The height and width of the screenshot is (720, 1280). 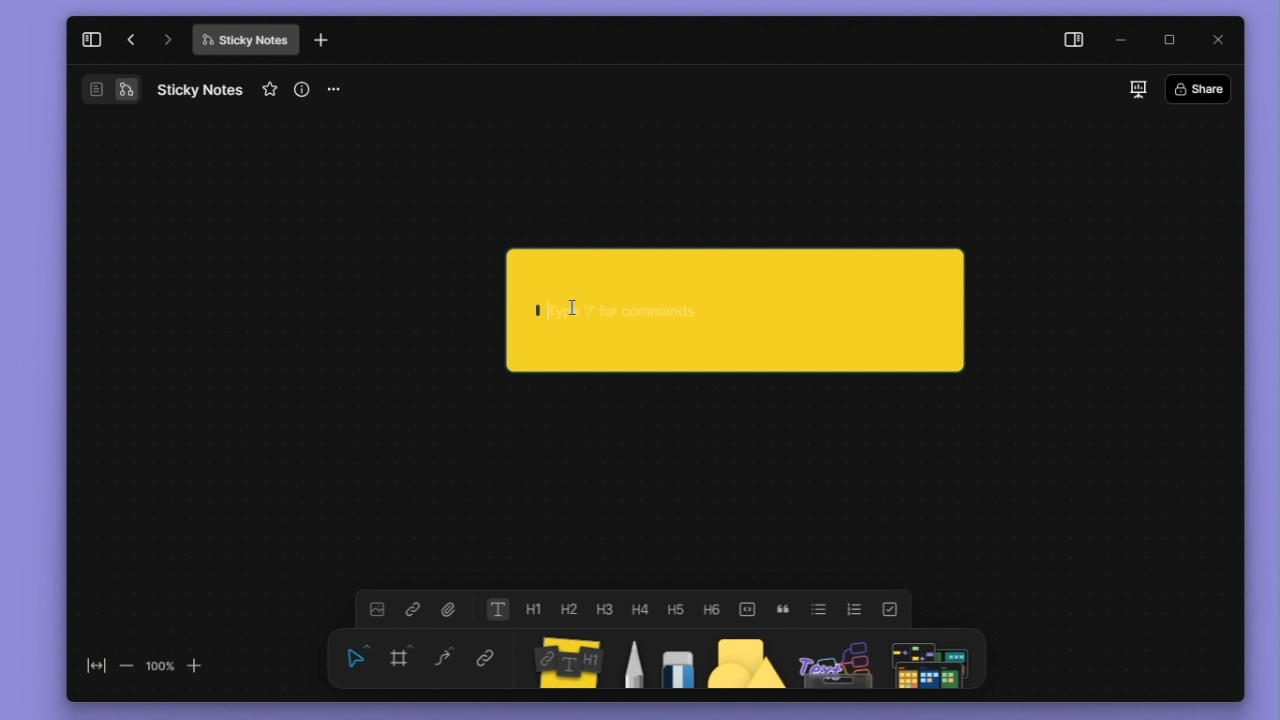 What do you see at coordinates (537, 608) in the screenshot?
I see `heading` at bounding box center [537, 608].